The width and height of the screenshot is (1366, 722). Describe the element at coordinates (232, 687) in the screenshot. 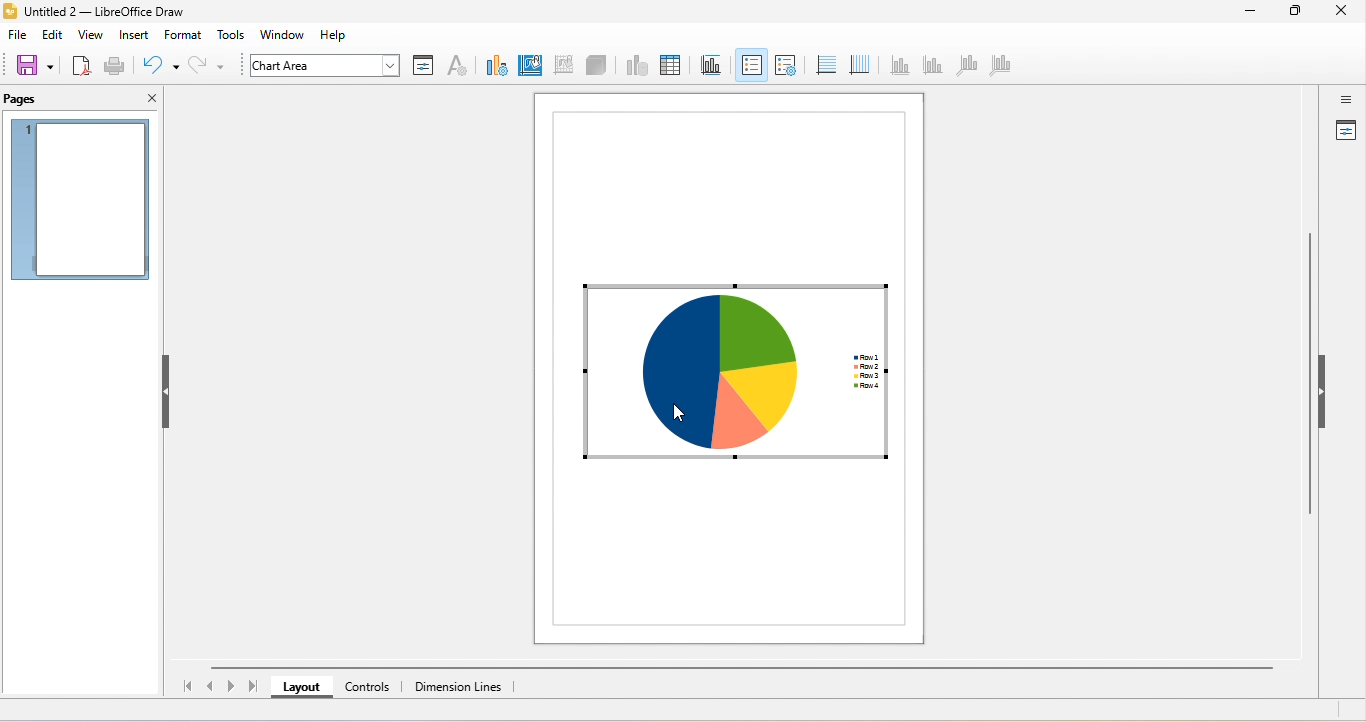

I see `next` at that location.